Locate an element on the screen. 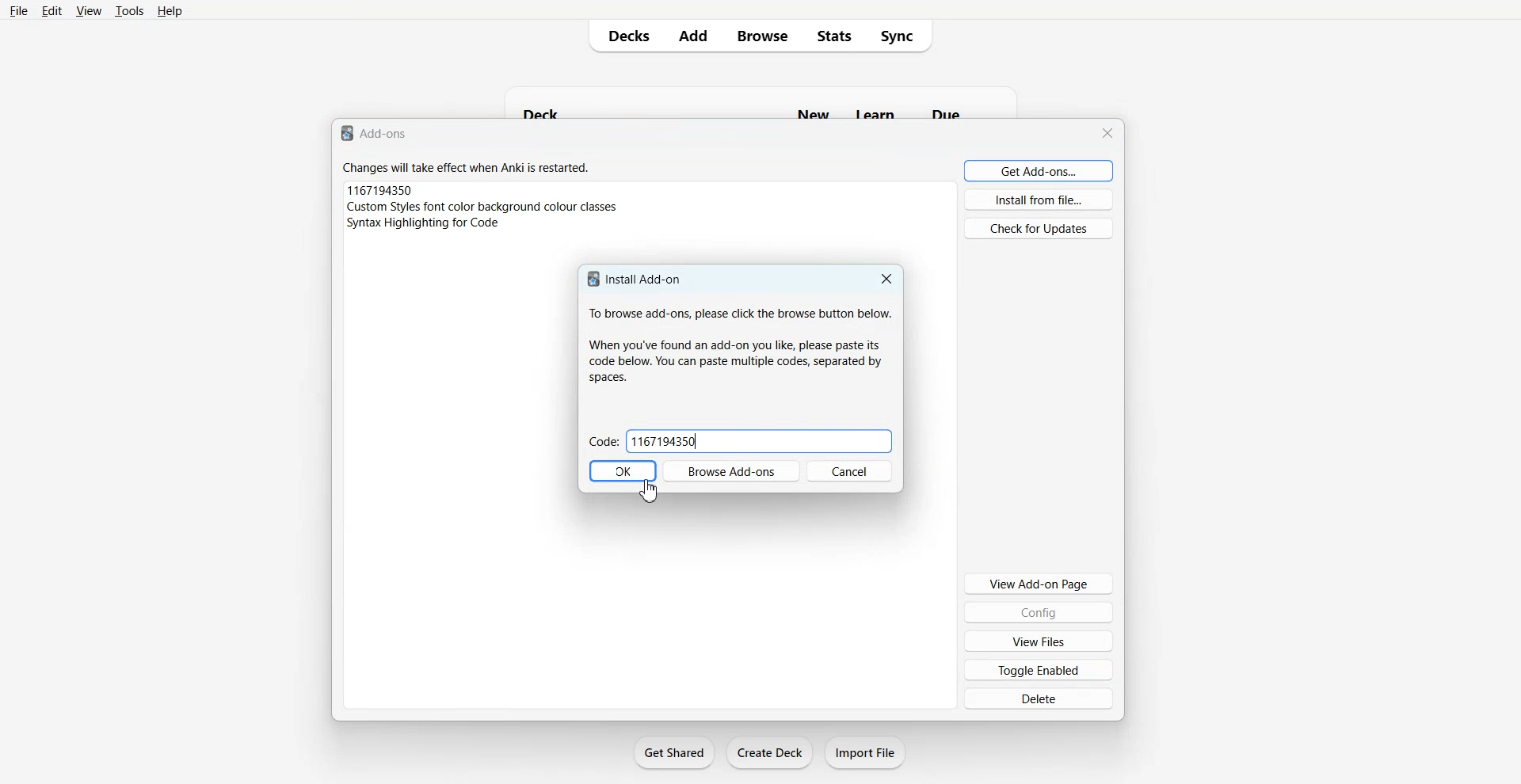 The image size is (1521, 784). 1167194350 is located at coordinates (665, 441).